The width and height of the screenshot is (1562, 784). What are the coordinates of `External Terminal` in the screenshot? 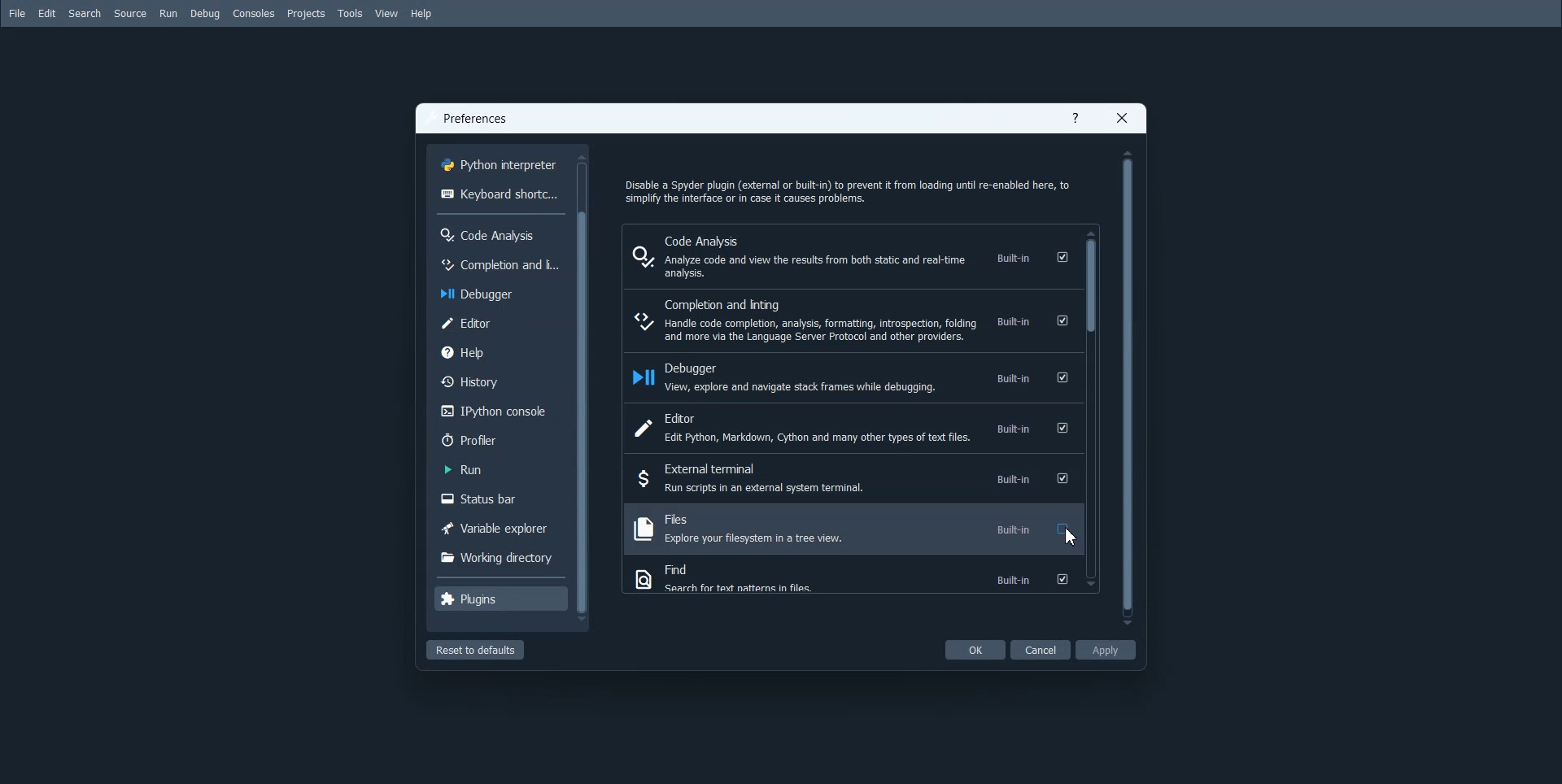 It's located at (850, 478).